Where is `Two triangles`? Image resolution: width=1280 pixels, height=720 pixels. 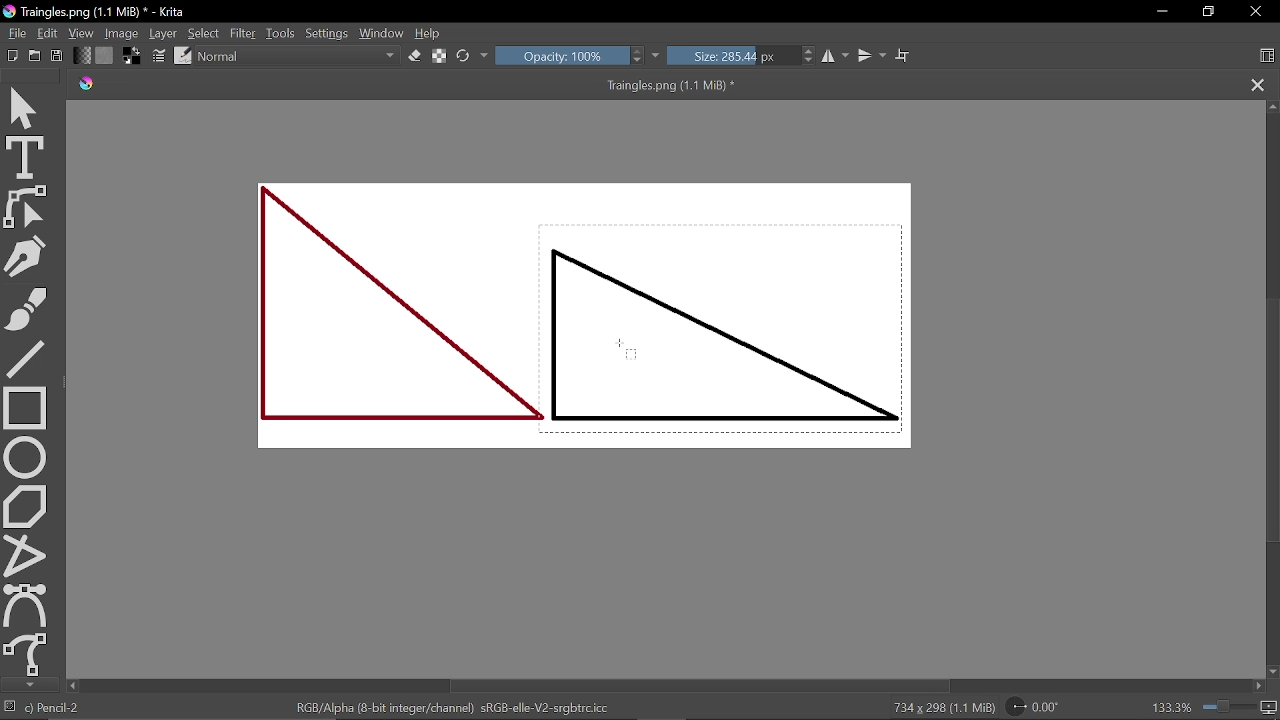
Two triangles is located at coordinates (580, 317).